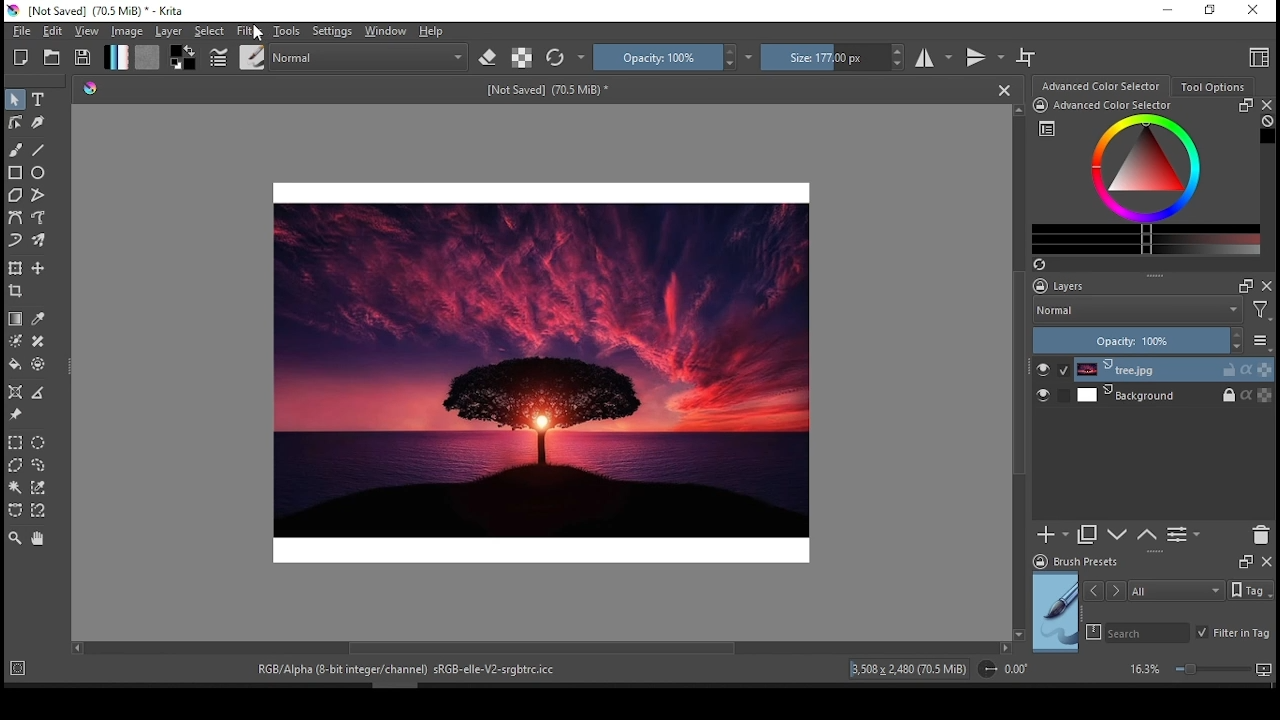 This screenshot has width=1280, height=720. Describe the element at coordinates (1143, 185) in the screenshot. I see `advanced color selector` at that location.